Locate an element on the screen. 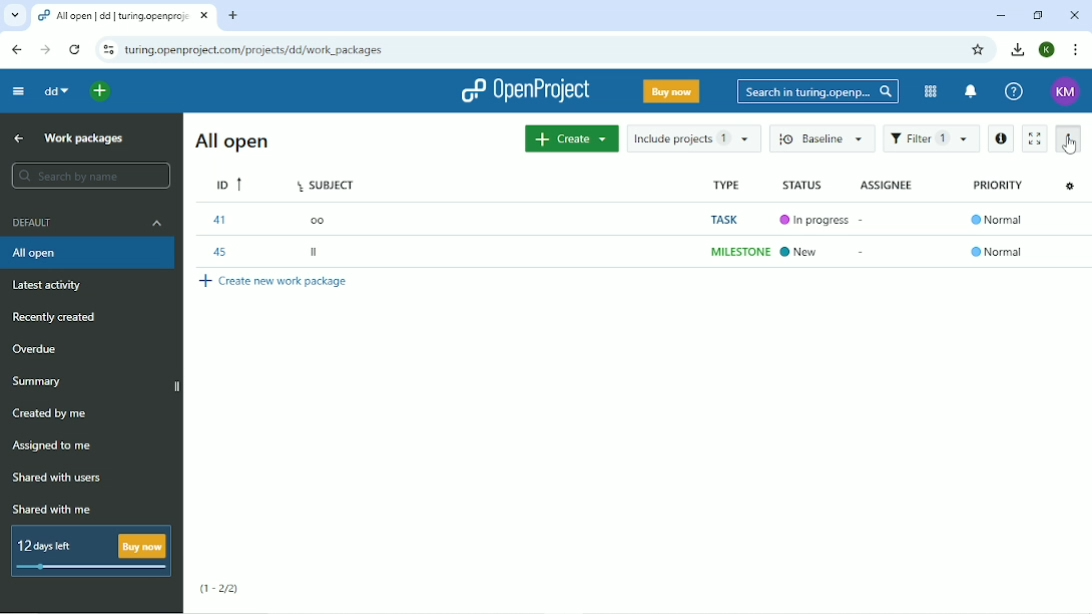 The height and width of the screenshot is (614, 1092). Create new work package is located at coordinates (276, 282).